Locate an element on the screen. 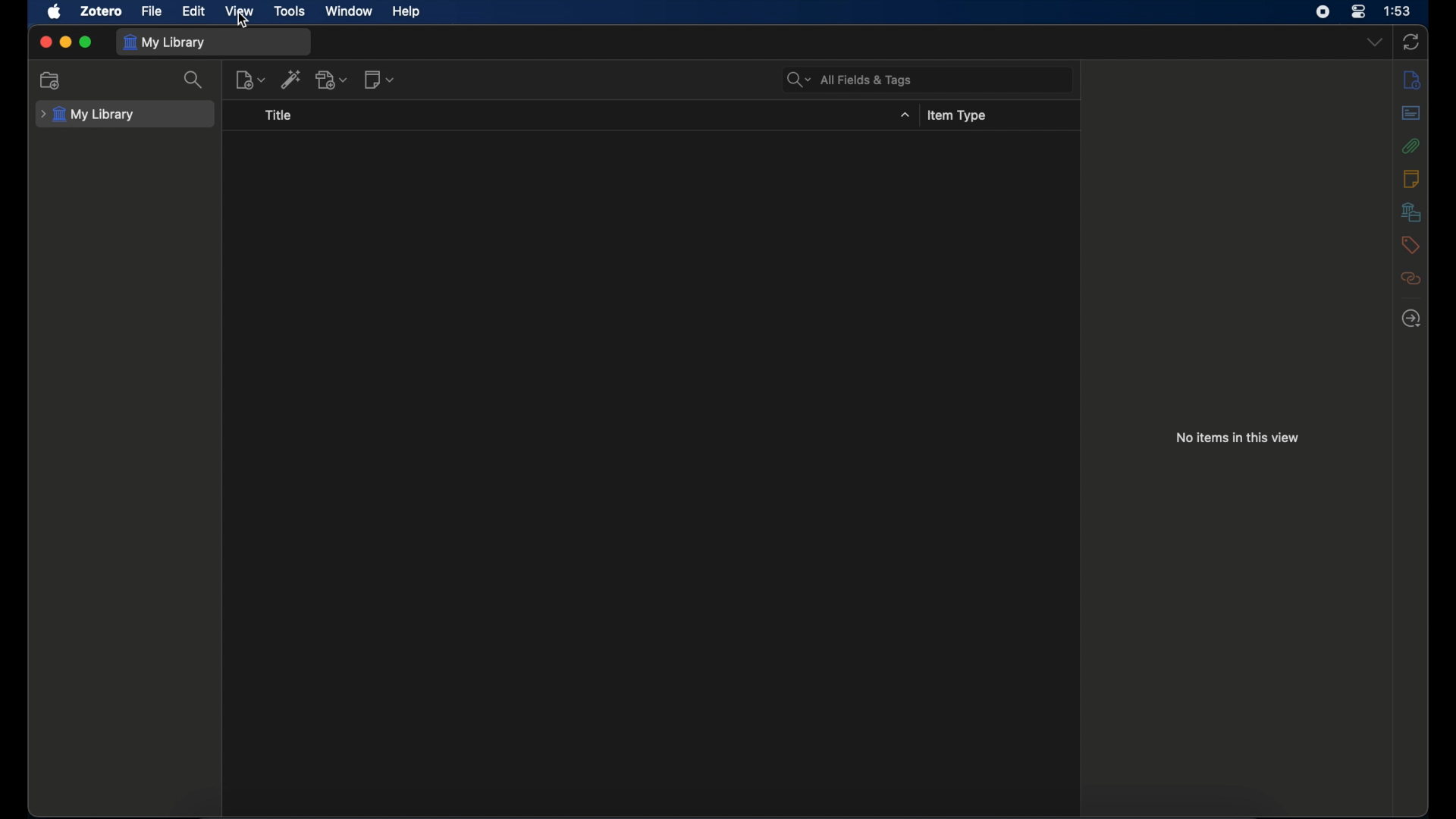 This screenshot has height=819, width=1456. attachments is located at coordinates (1410, 146).